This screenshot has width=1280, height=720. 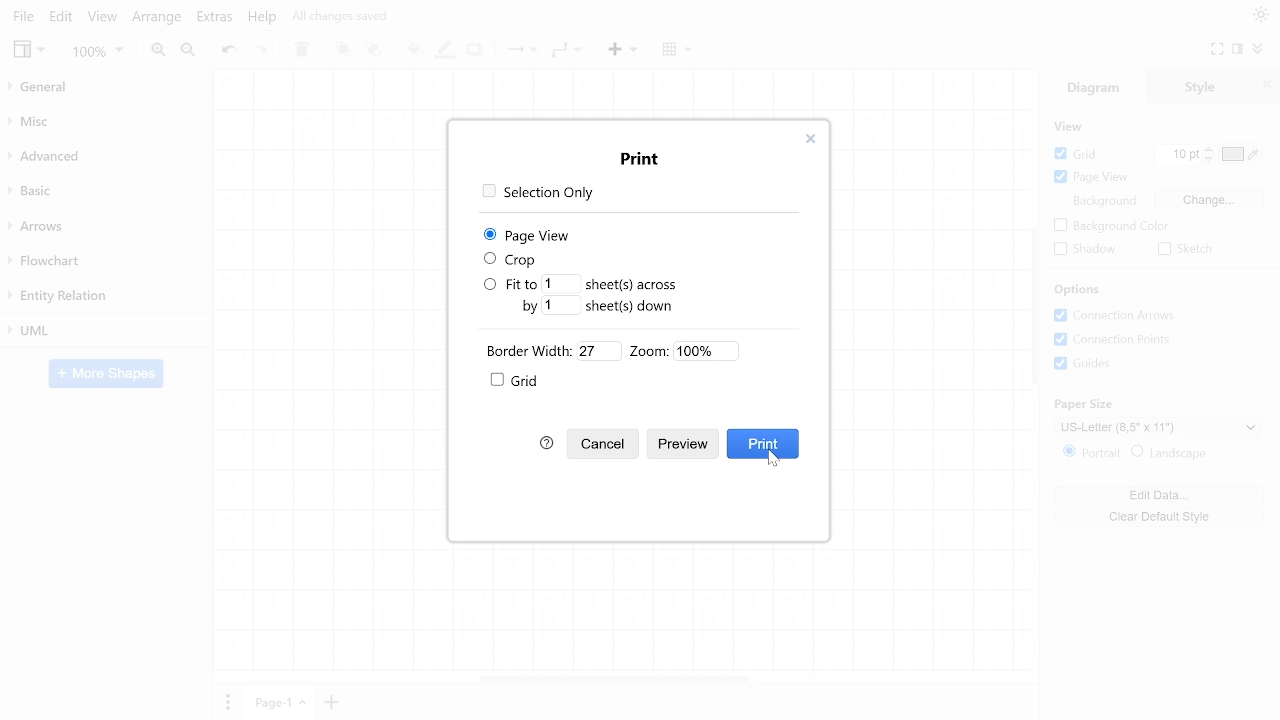 What do you see at coordinates (476, 51) in the screenshot?
I see `Shadow` at bounding box center [476, 51].